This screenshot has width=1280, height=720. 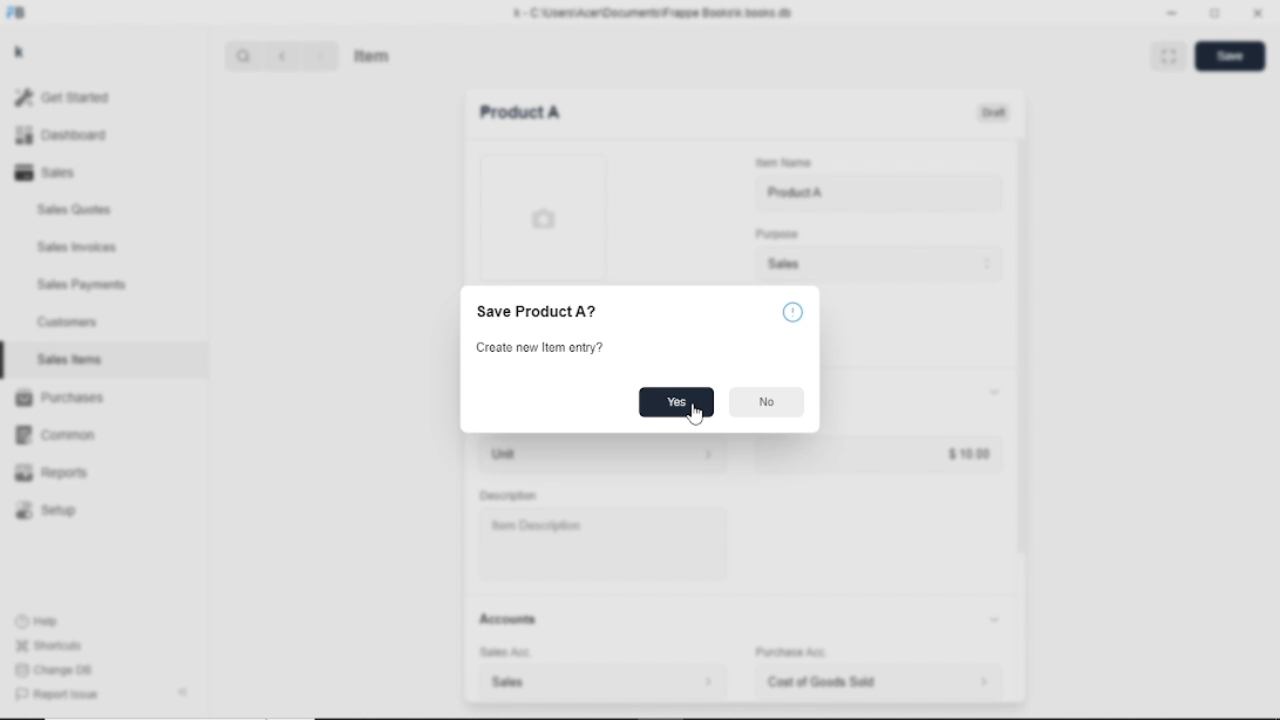 I want to click on Item Description, so click(x=532, y=526).